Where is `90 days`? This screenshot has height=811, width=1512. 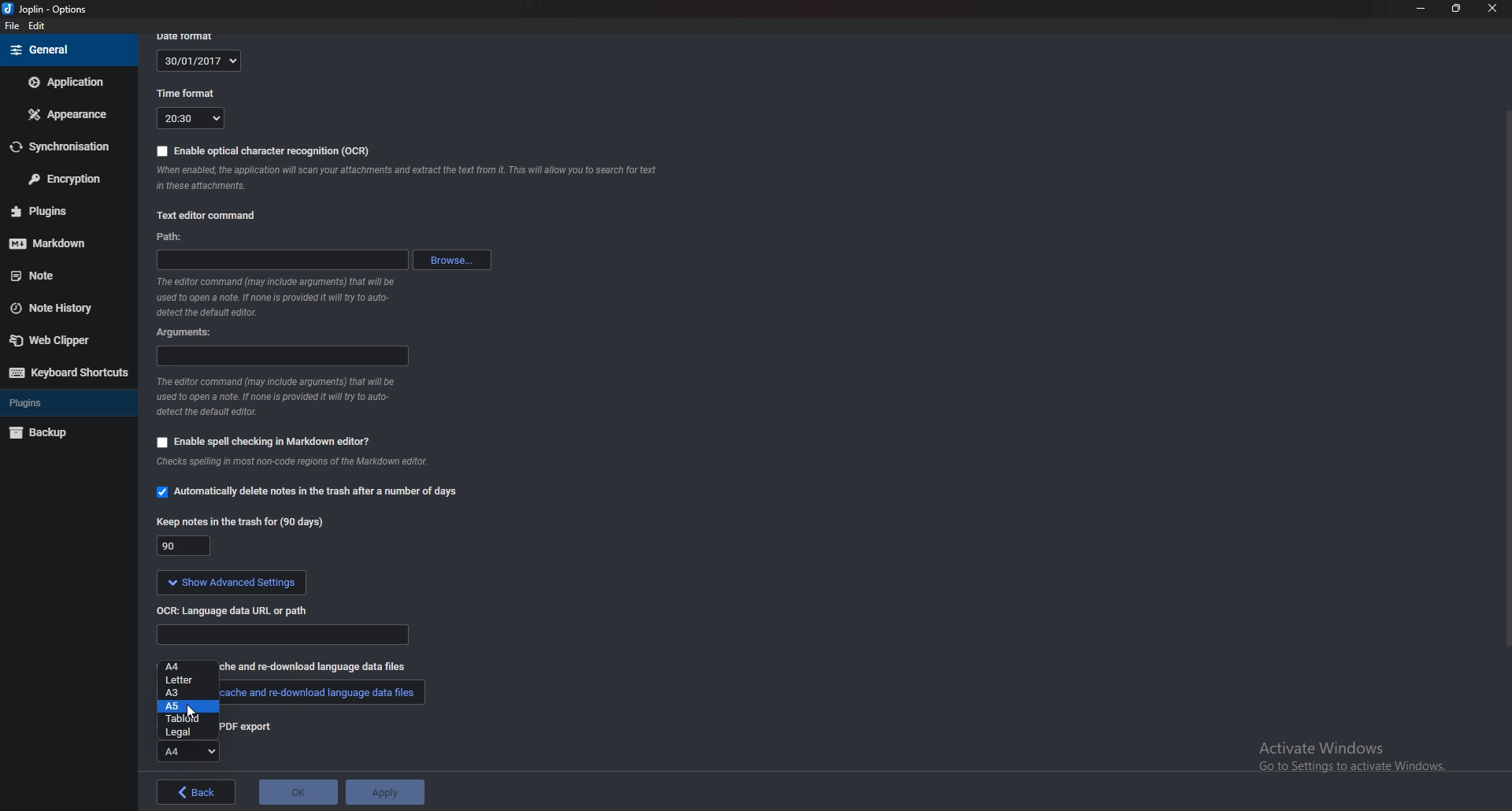 90 days is located at coordinates (181, 546).